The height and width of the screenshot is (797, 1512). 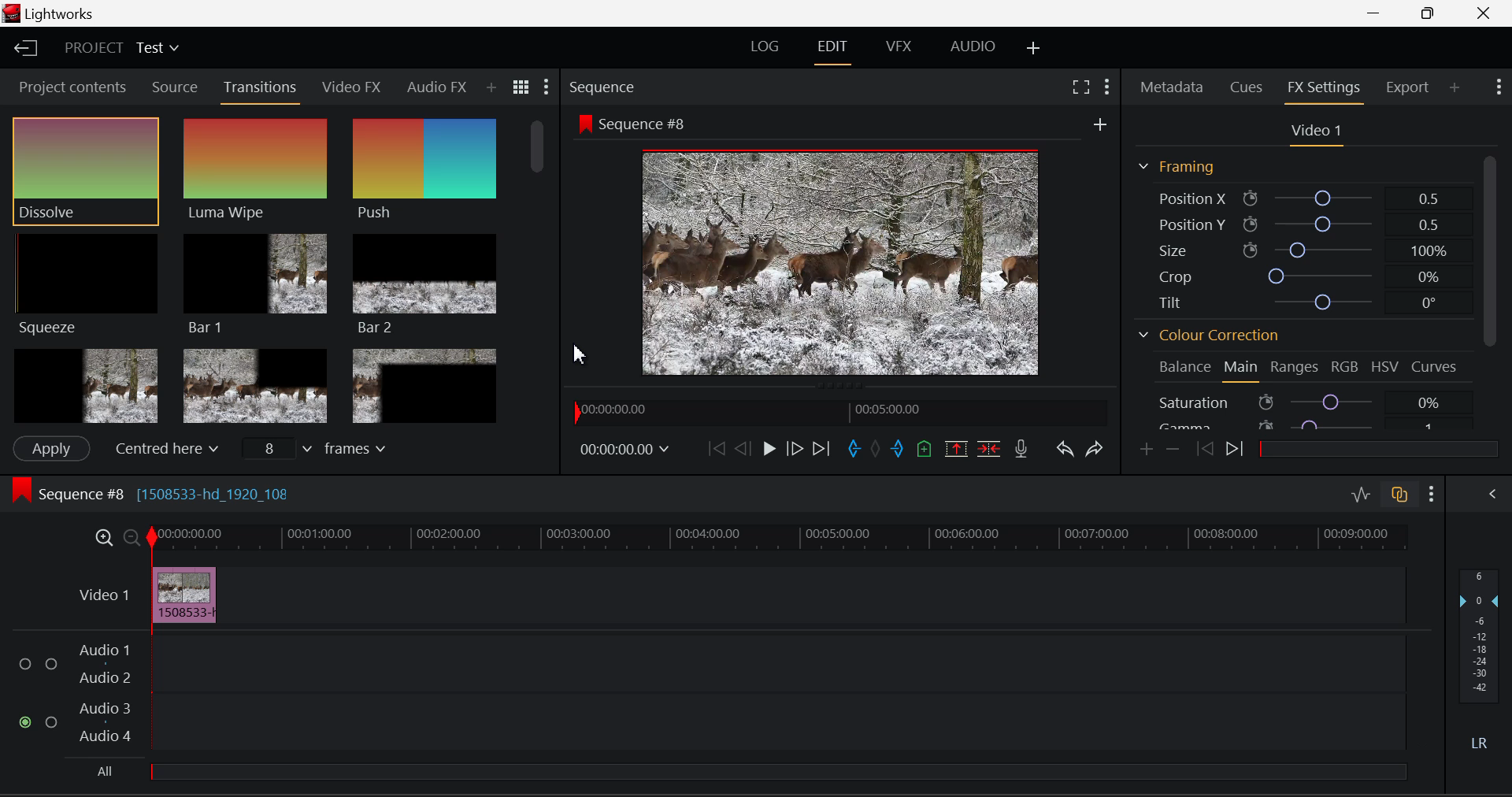 What do you see at coordinates (713, 449) in the screenshot?
I see `To start` at bounding box center [713, 449].